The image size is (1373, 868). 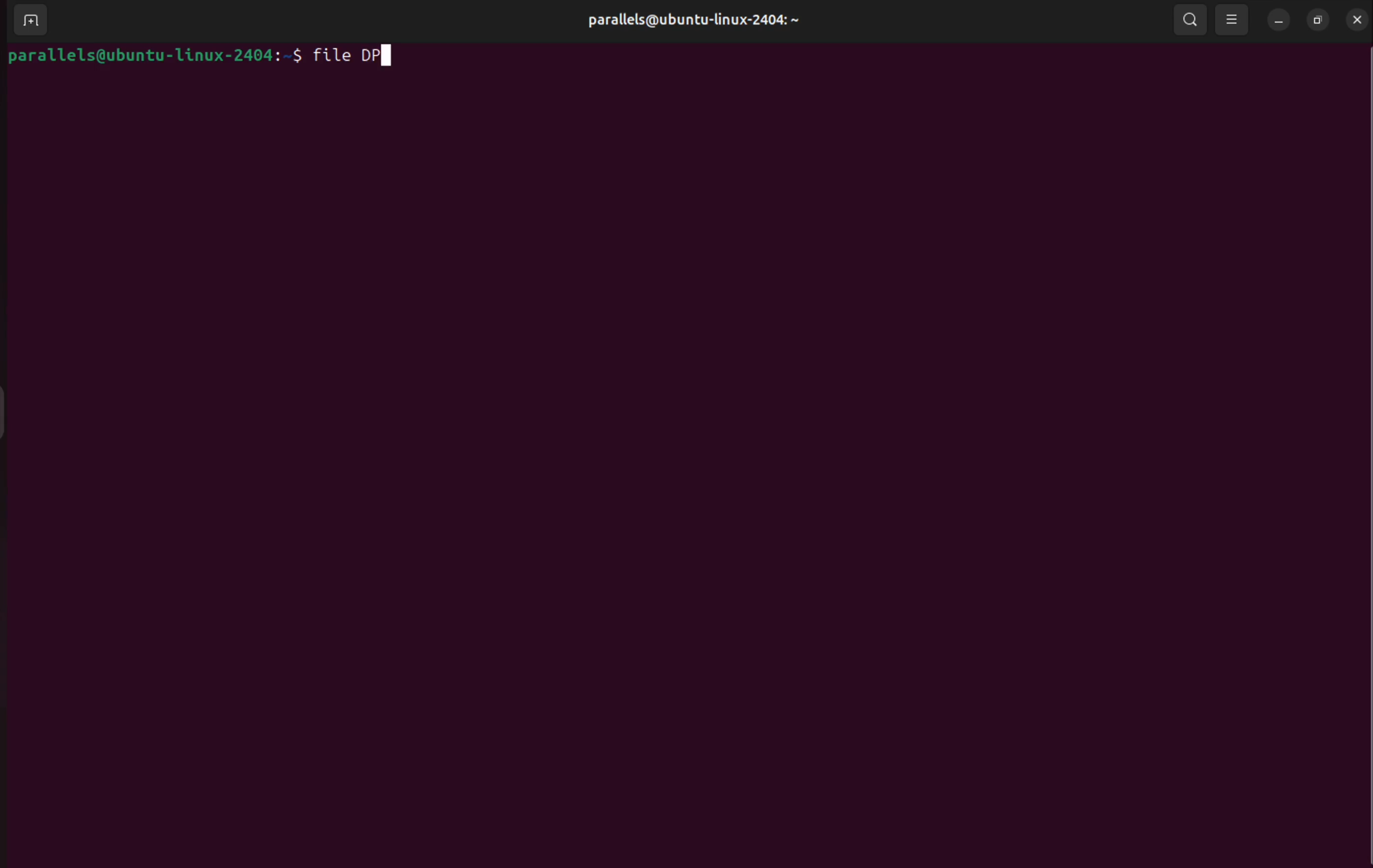 I want to click on parallels, so click(x=705, y=19).